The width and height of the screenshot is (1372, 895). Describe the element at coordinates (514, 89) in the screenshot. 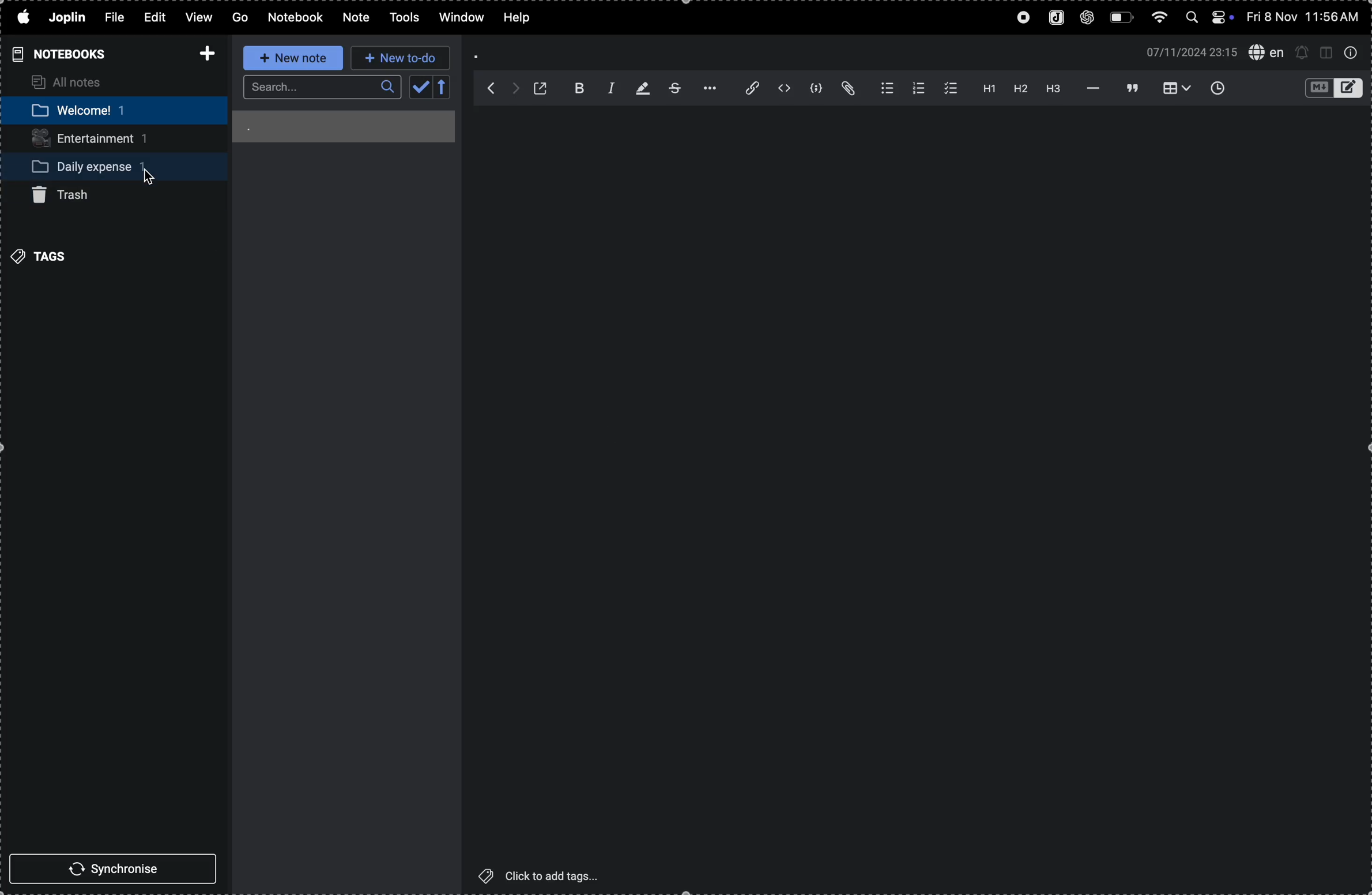

I see `forward` at that location.